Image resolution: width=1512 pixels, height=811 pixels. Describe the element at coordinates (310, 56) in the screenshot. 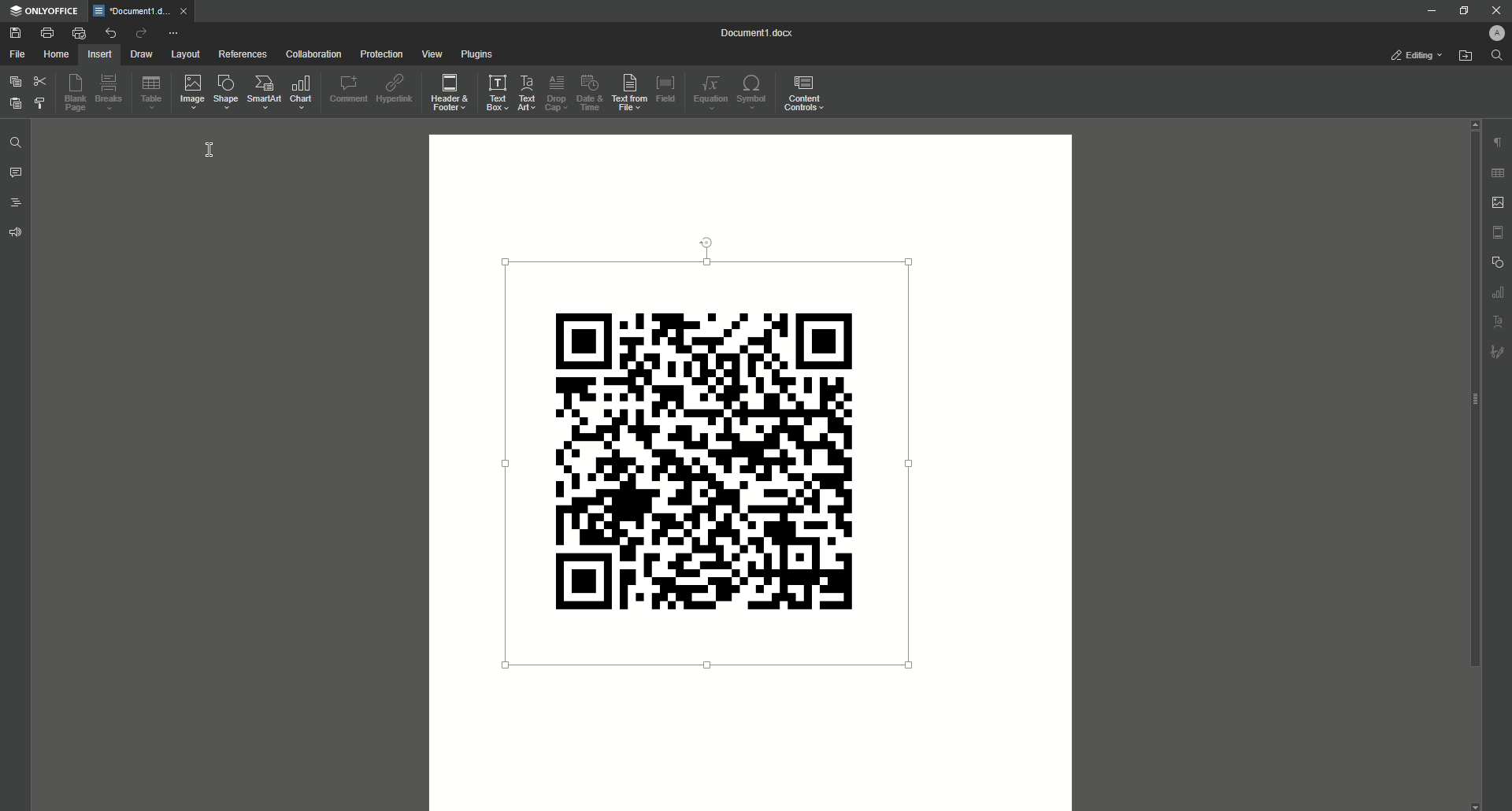

I see `Collaboration` at that location.